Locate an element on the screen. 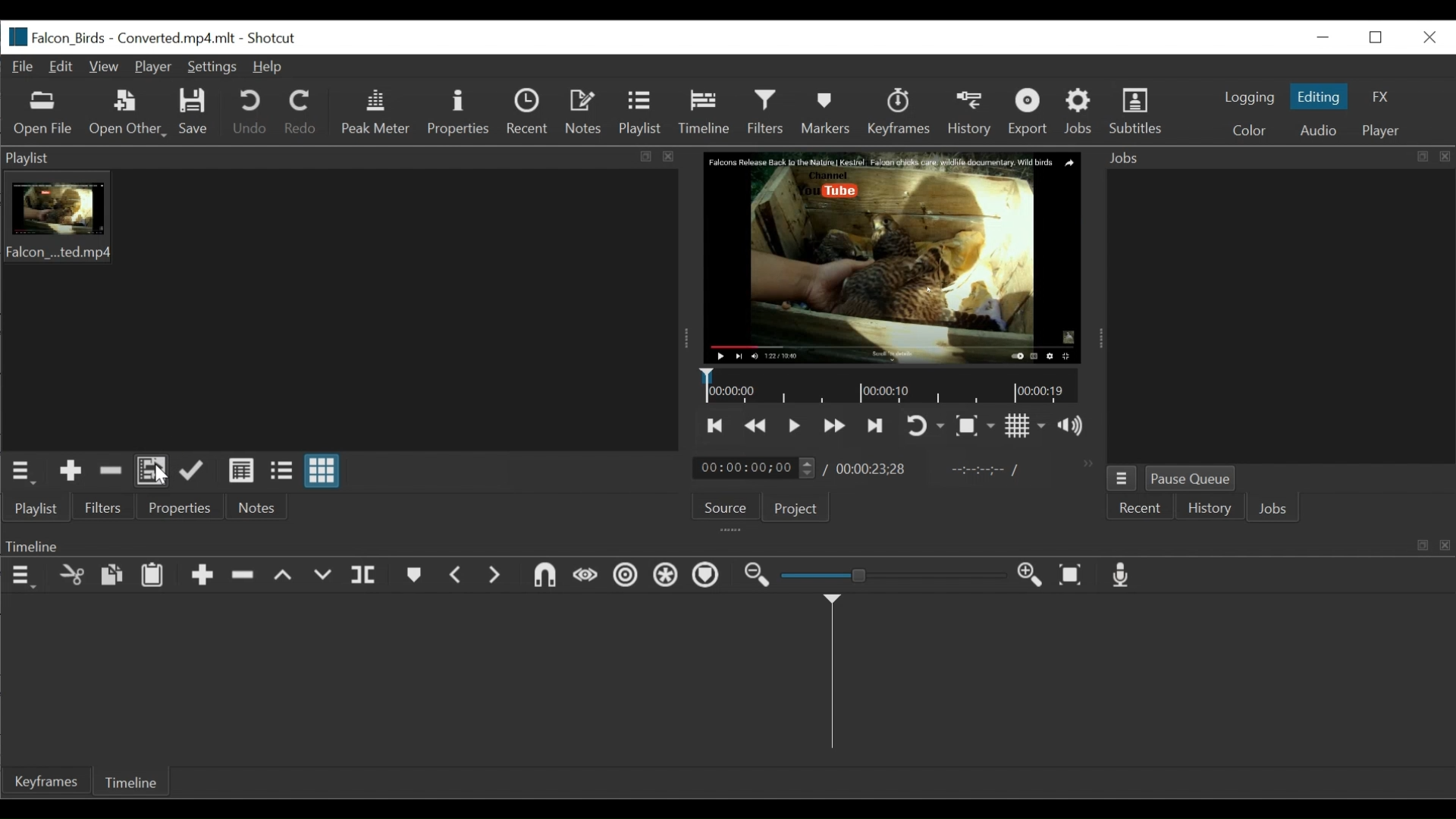 This screenshot has width=1456, height=819. Timeline Panel is located at coordinates (21, 576).